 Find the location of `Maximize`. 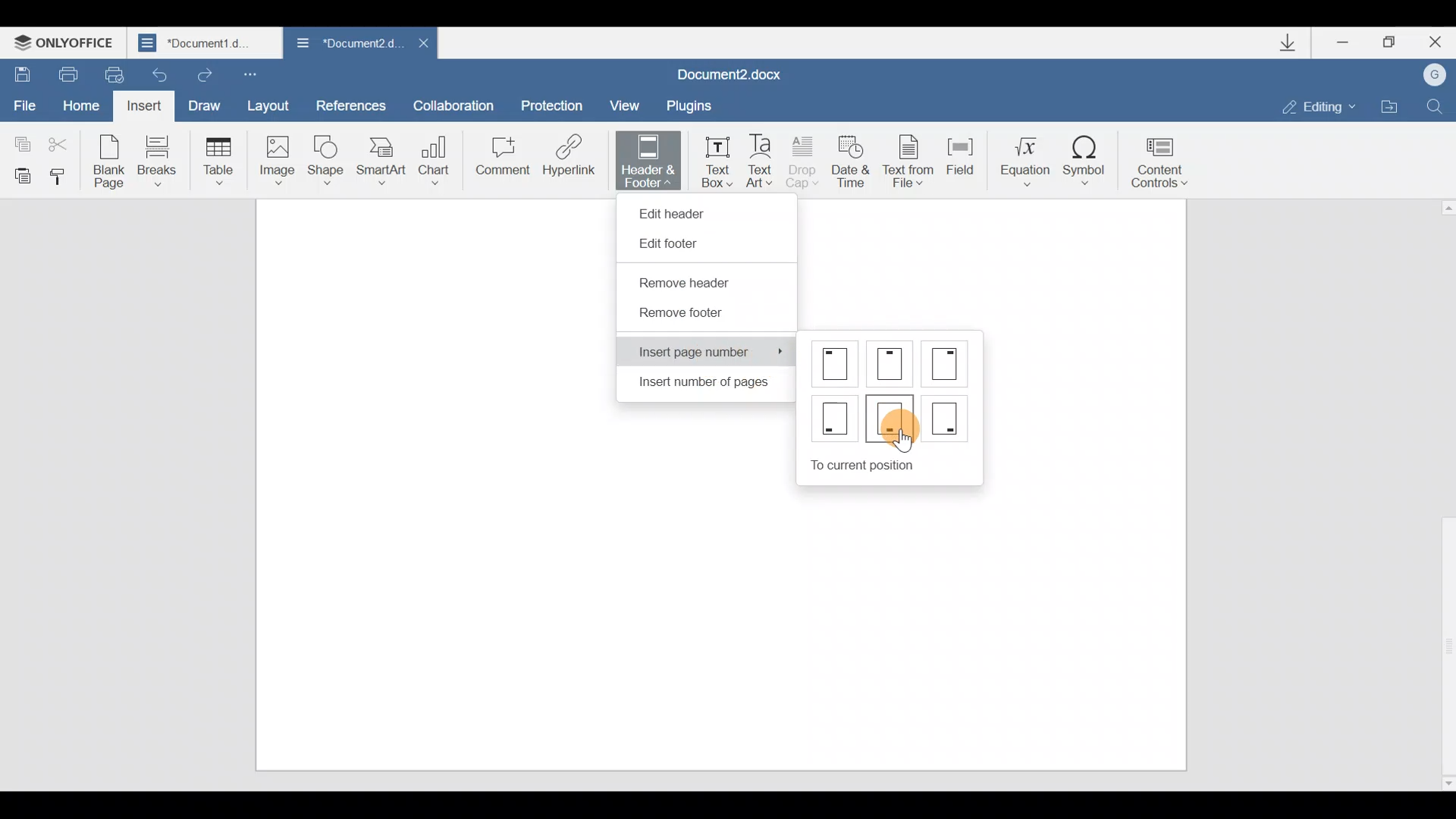

Maximize is located at coordinates (1387, 40).